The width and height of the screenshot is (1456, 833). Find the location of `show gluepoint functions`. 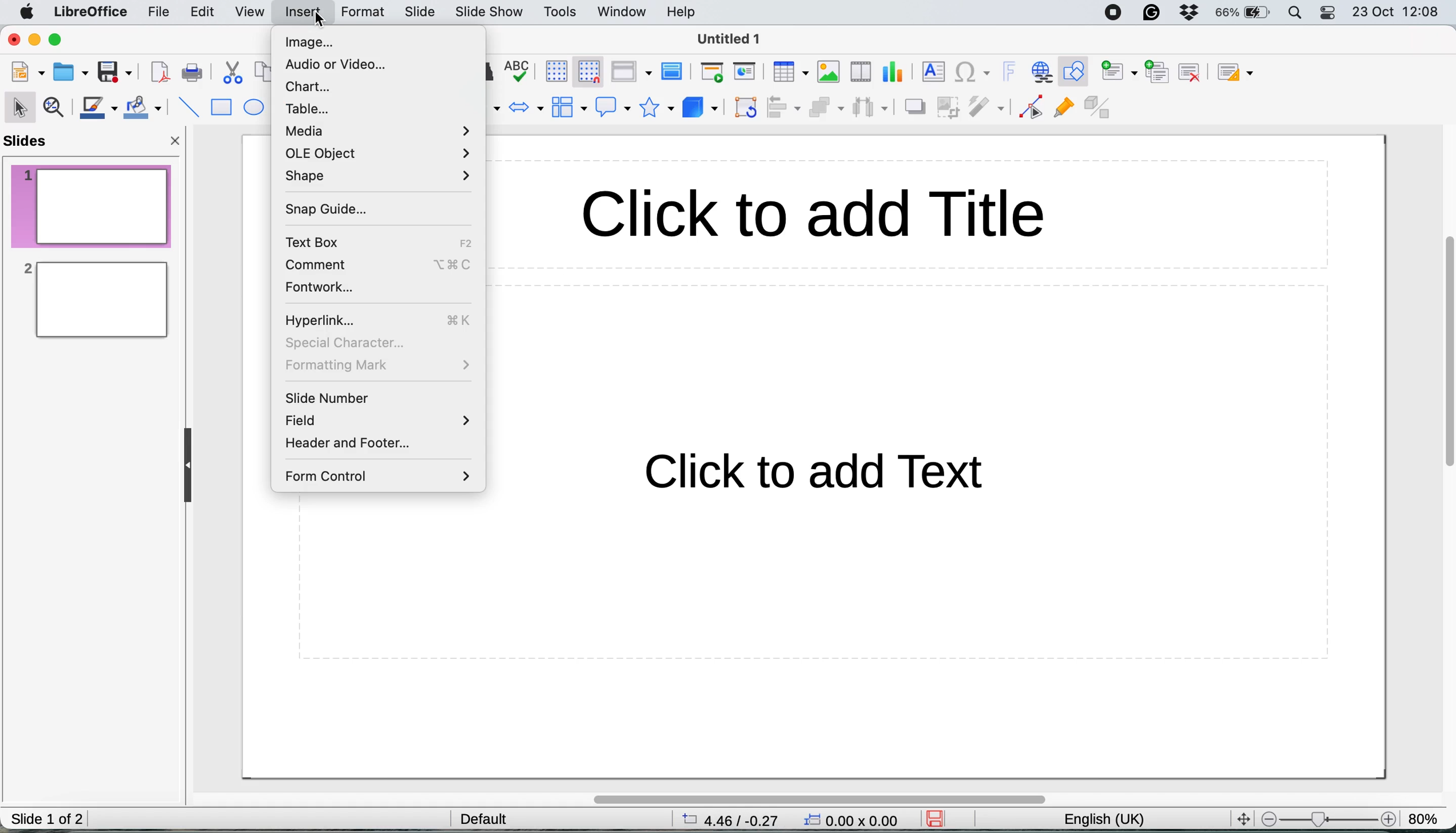

show gluepoint functions is located at coordinates (1063, 110).